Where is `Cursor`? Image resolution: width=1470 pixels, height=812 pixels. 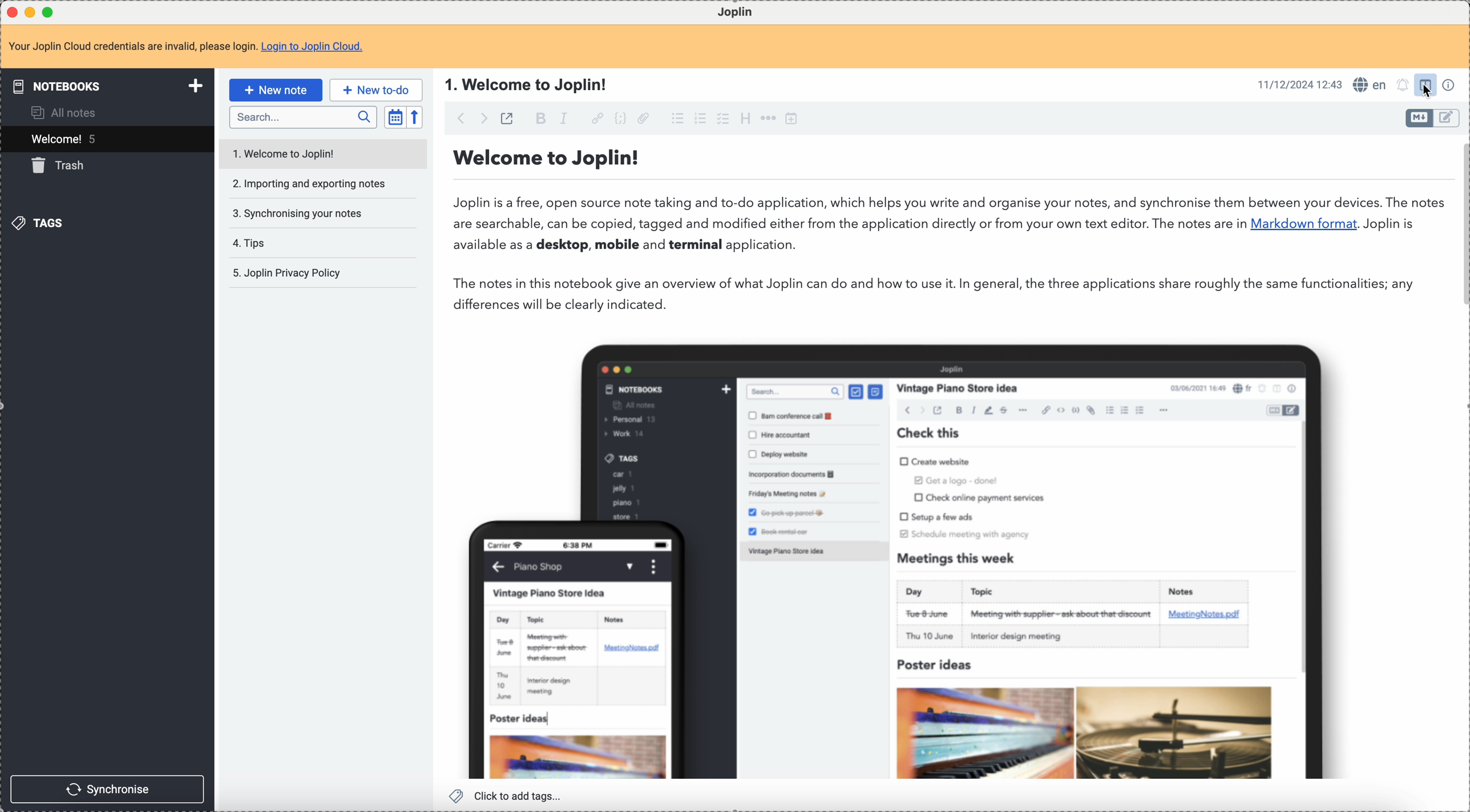 Cursor is located at coordinates (1427, 90).